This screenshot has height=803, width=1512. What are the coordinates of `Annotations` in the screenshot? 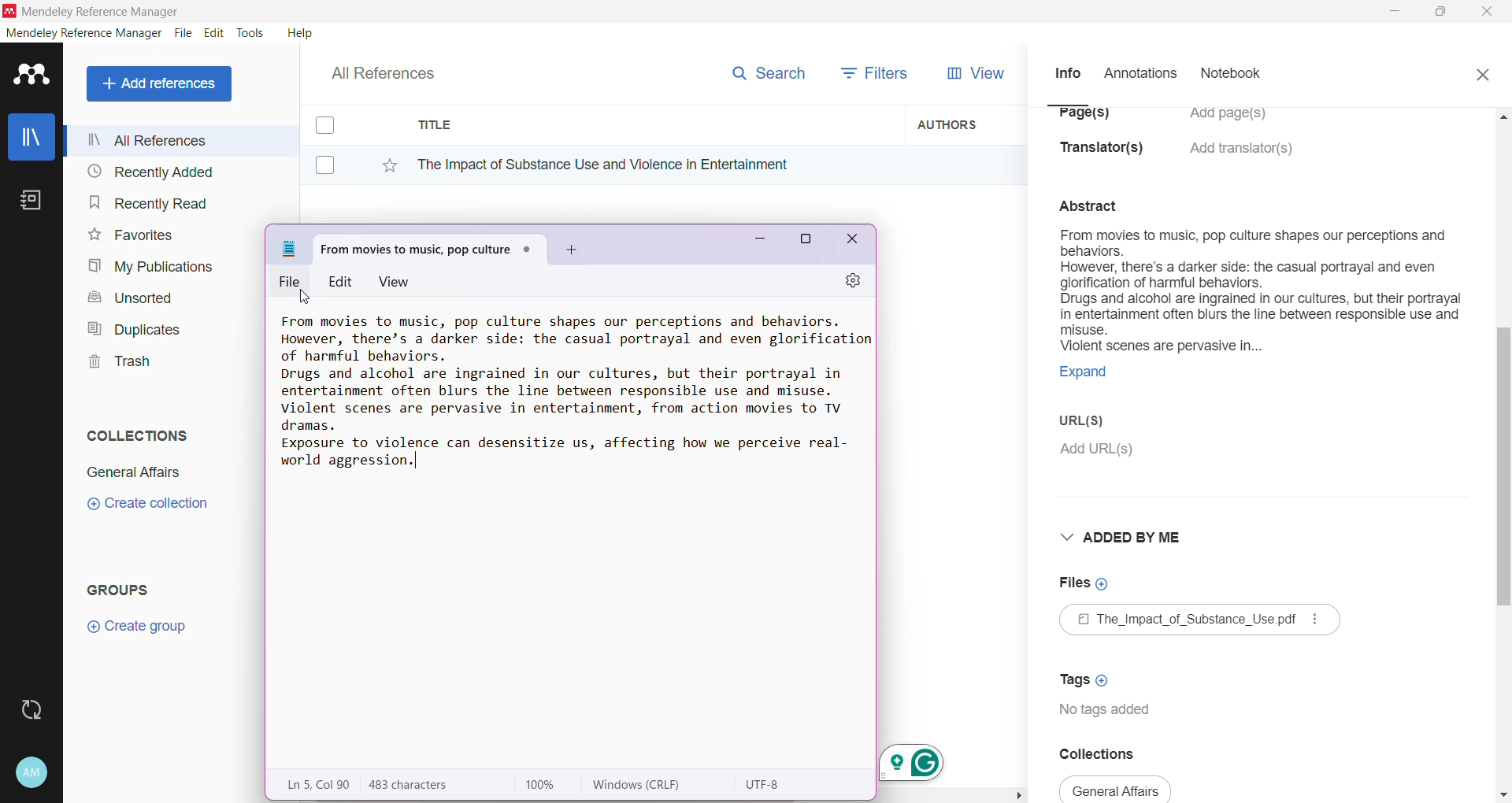 It's located at (1139, 74).